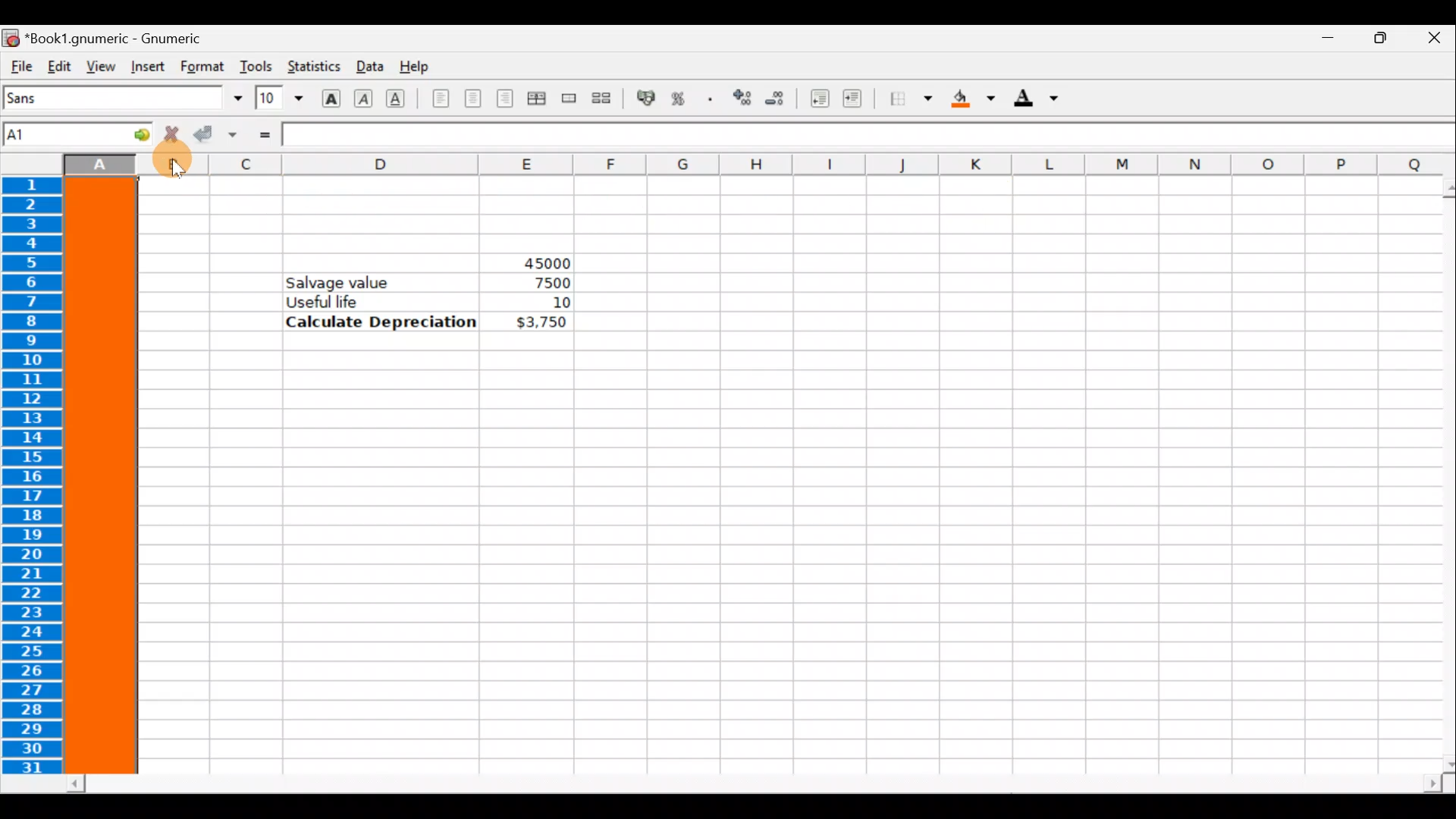 This screenshot has width=1456, height=819. I want to click on Centre horizontally across selection, so click(536, 101).